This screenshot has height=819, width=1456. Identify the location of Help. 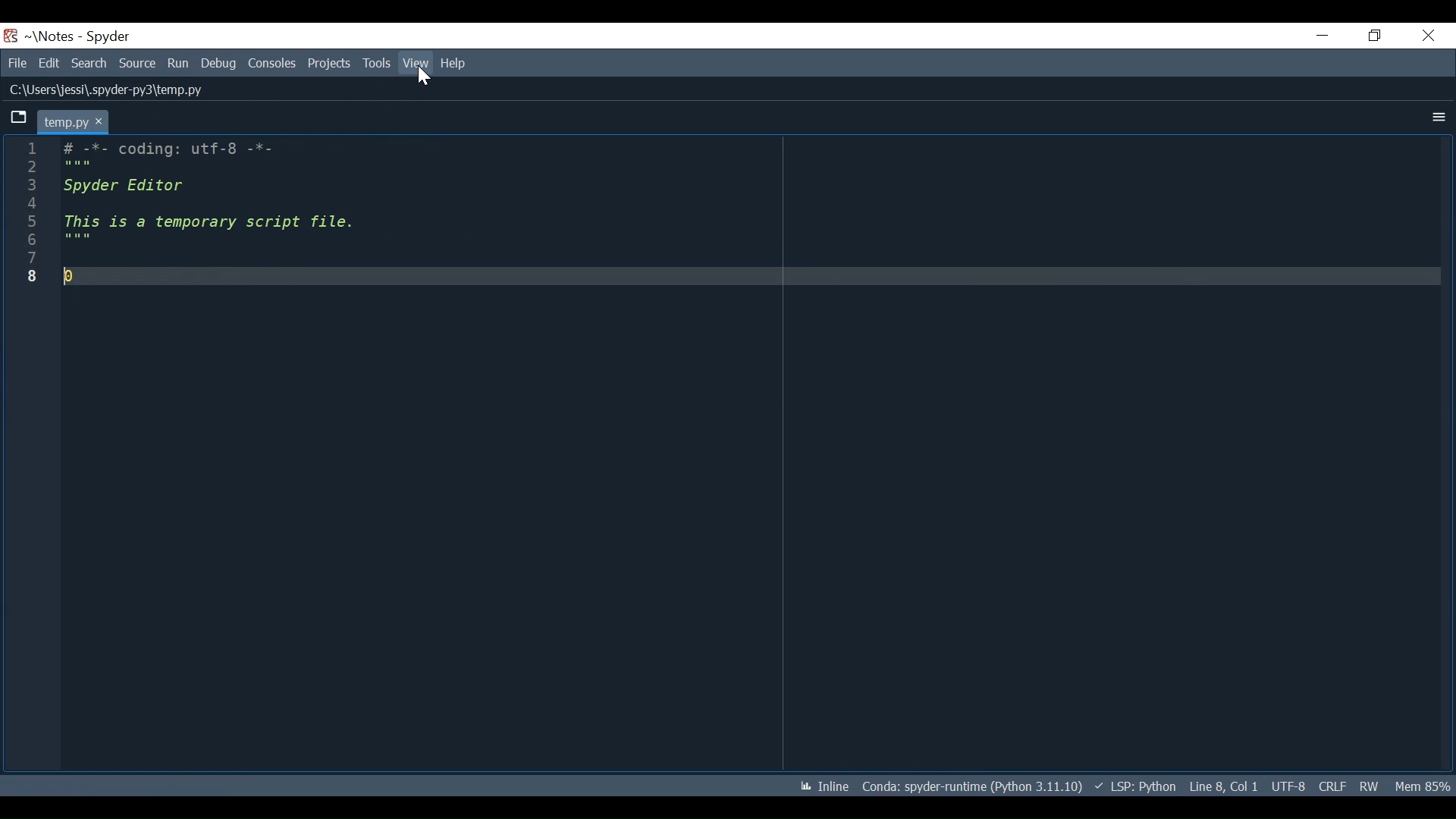
(454, 64).